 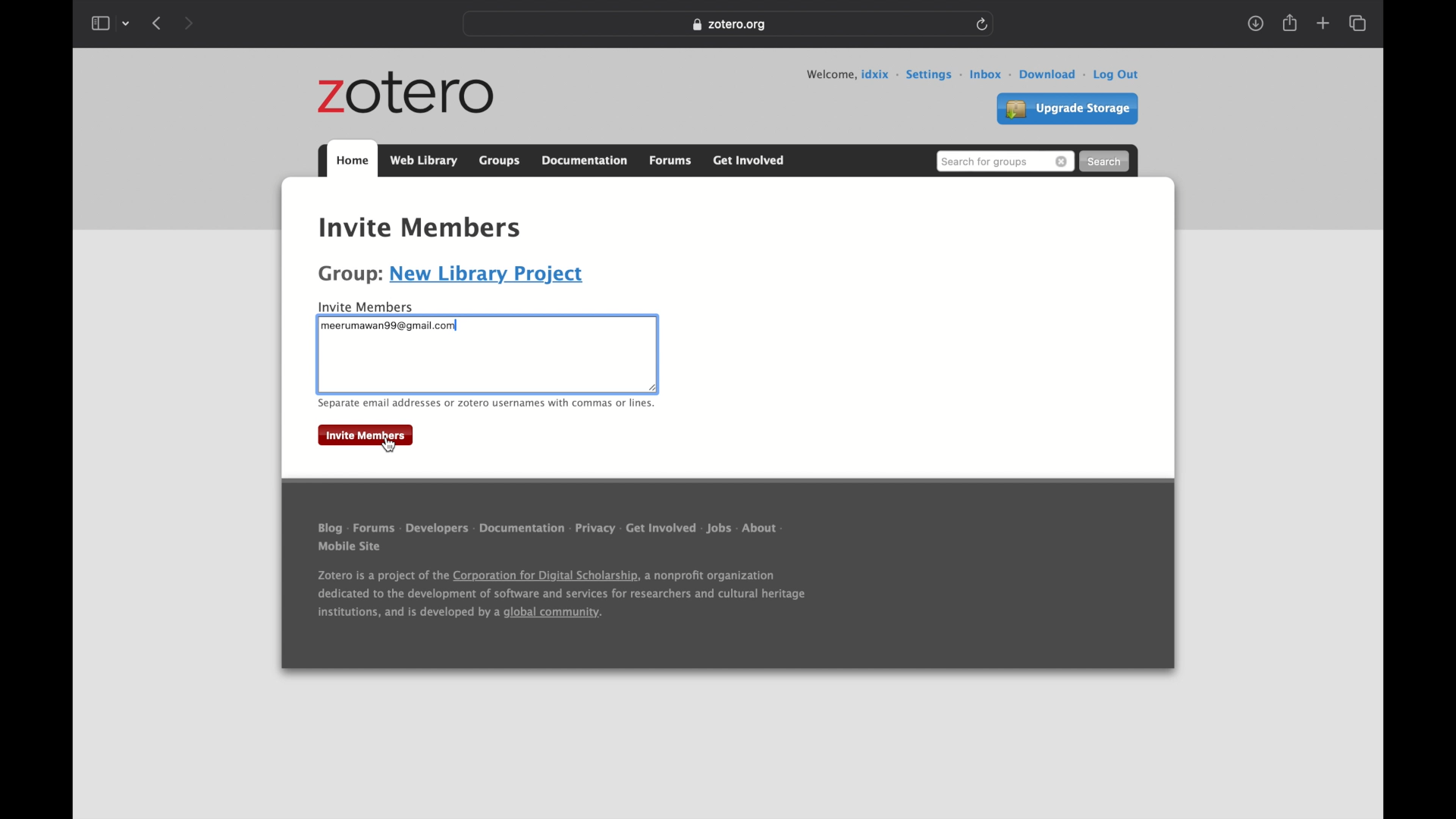 I want to click on forums, so click(x=673, y=160).